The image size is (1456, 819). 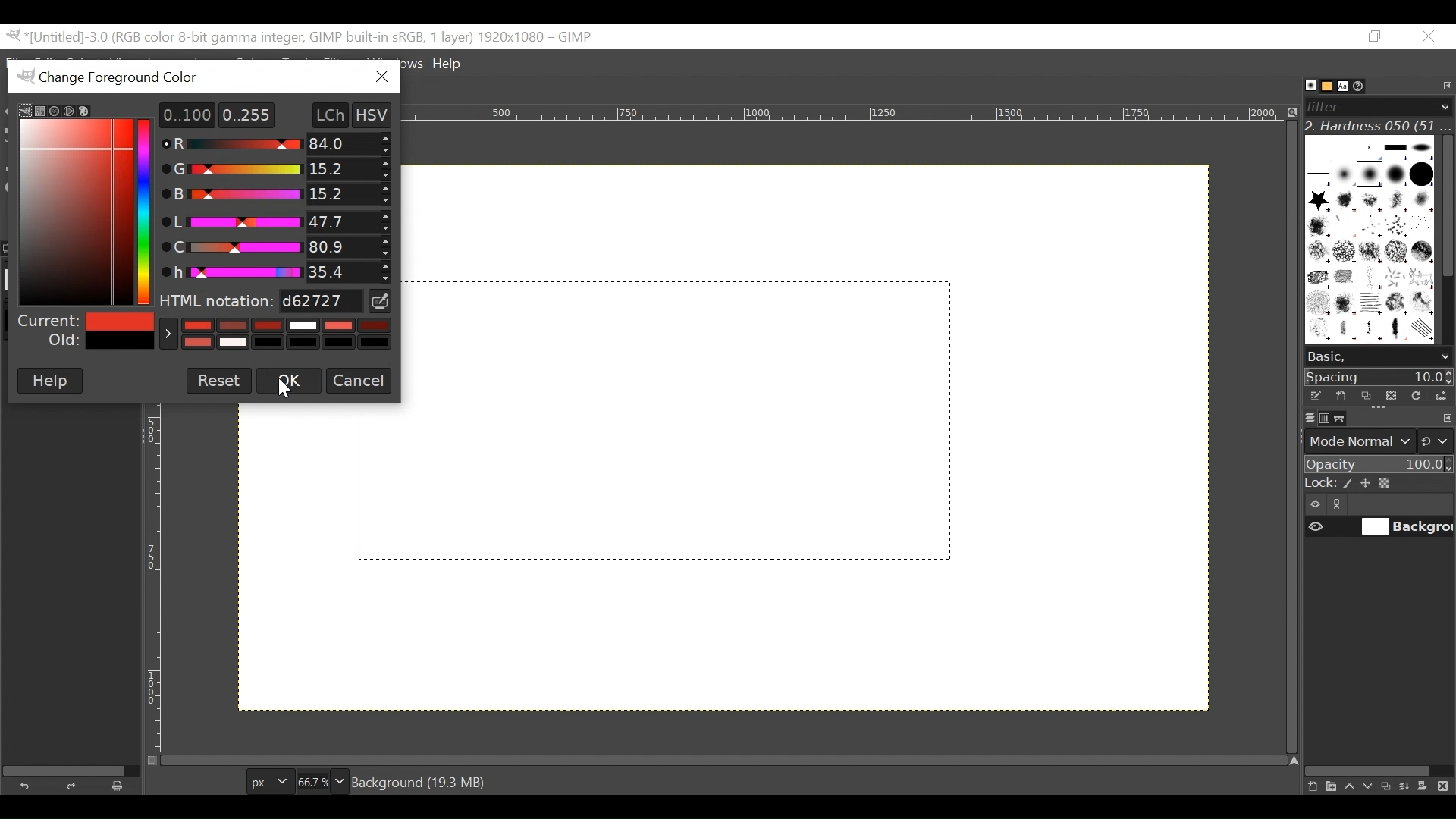 What do you see at coordinates (1377, 105) in the screenshot?
I see `Filter bar` at bounding box center [1377, 105].